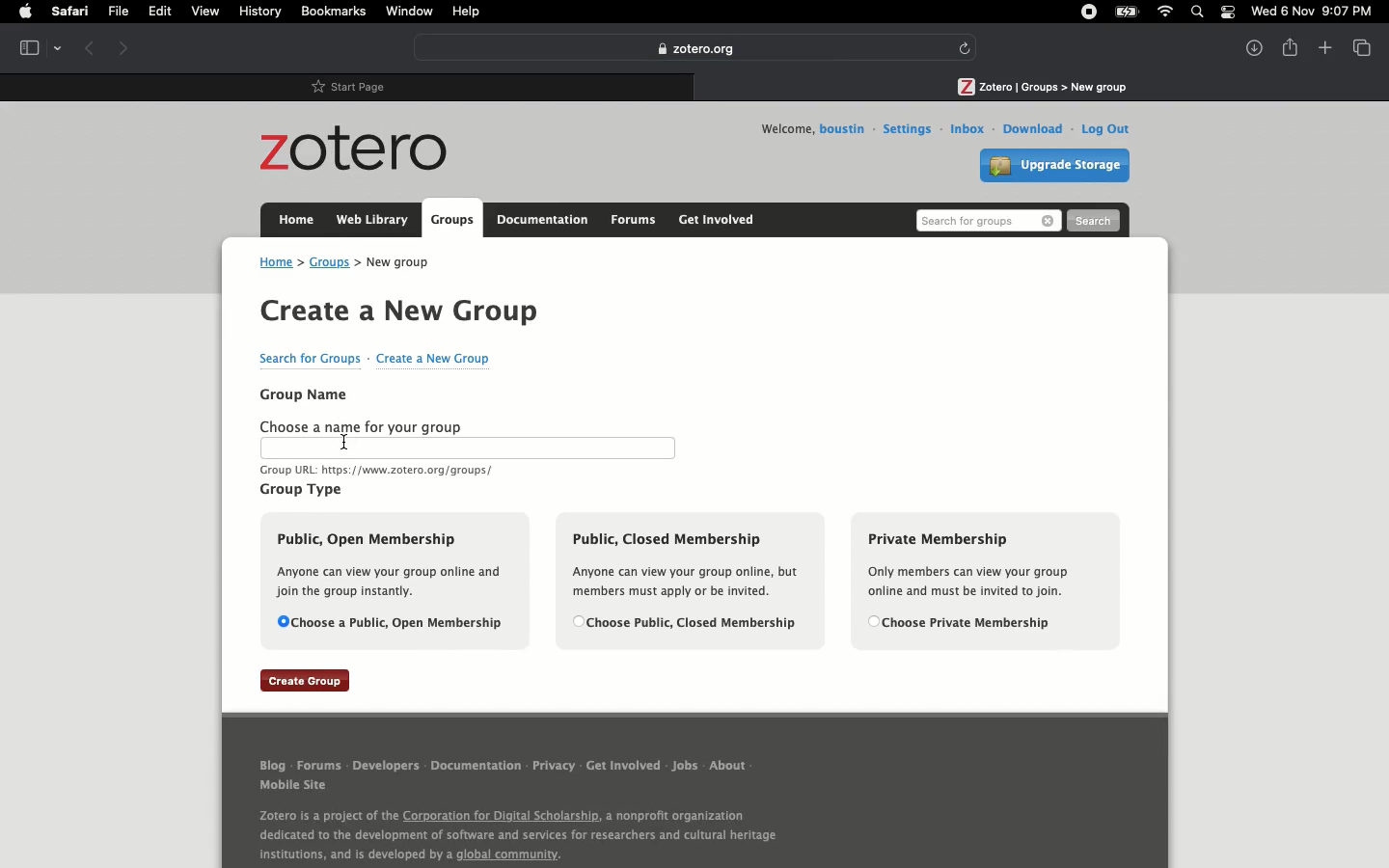 This screenshot has height=868, width=1389. I want to click on Get involved, so click(622, 767).